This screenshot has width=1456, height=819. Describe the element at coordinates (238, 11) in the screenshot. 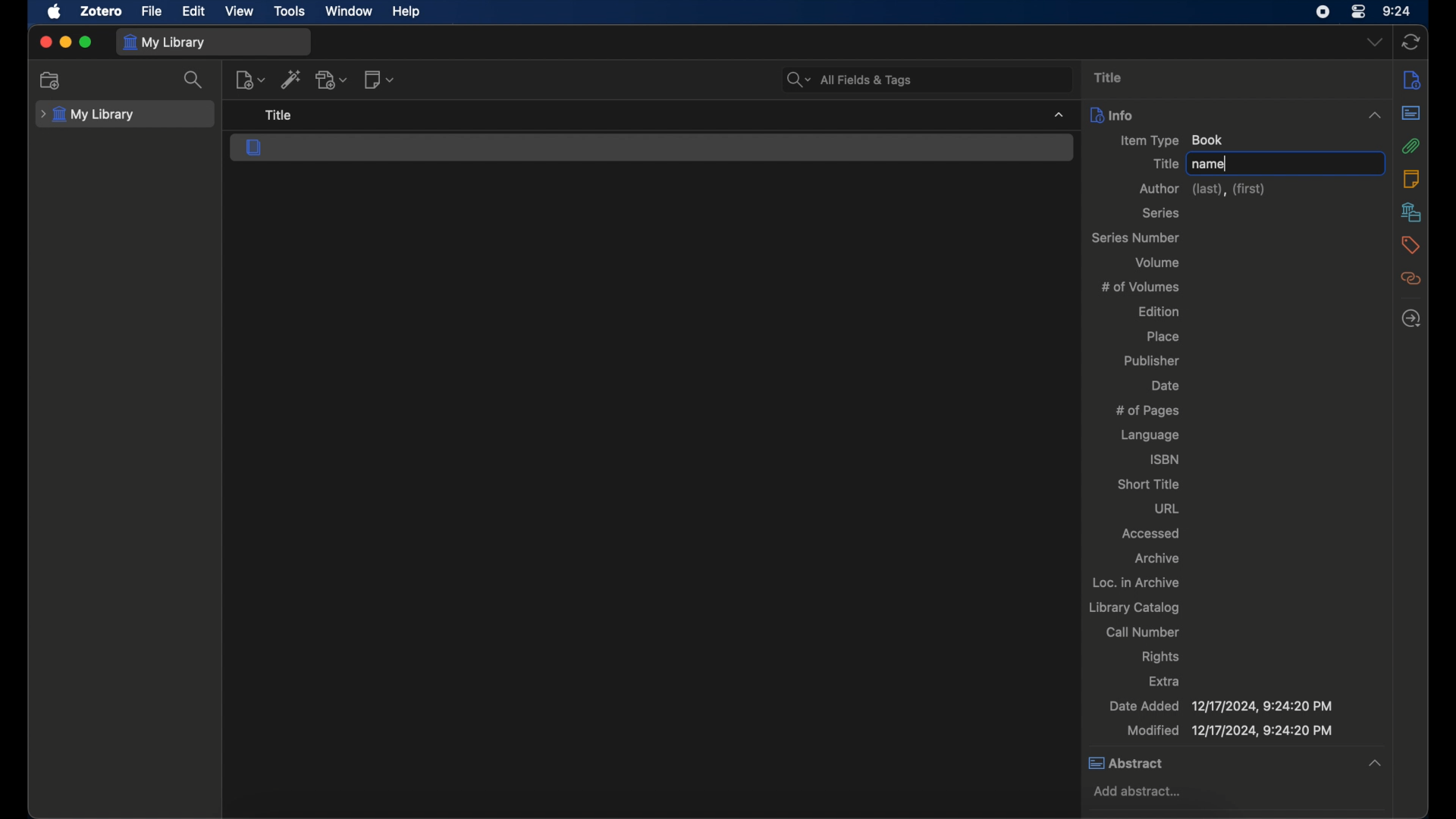

I see `view` at that location.